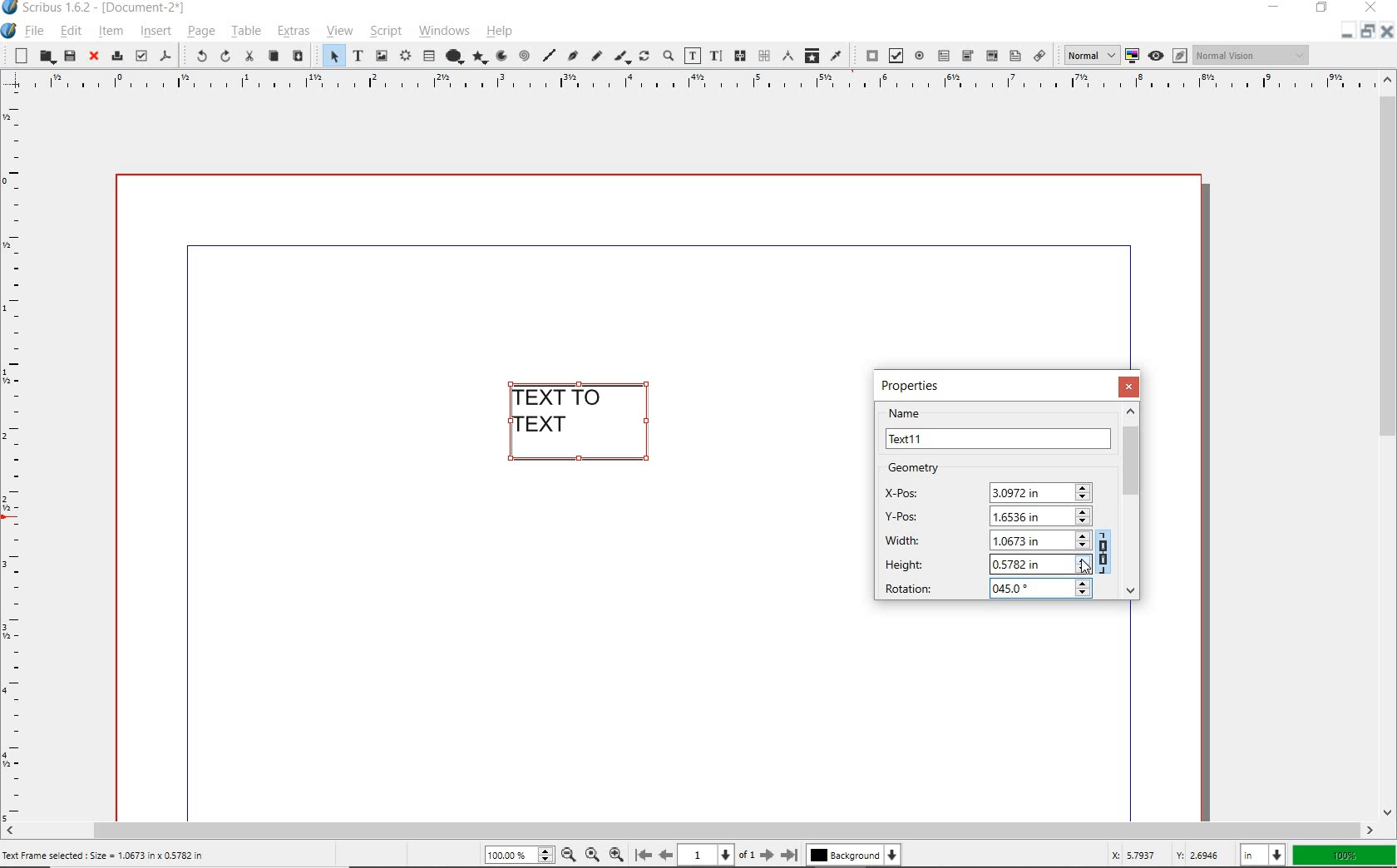 Image resolution: width=1397 pixels, height=868 pixels. Describe the element at coordinates (340, 32) in the screenshot. I see `view` at that location.